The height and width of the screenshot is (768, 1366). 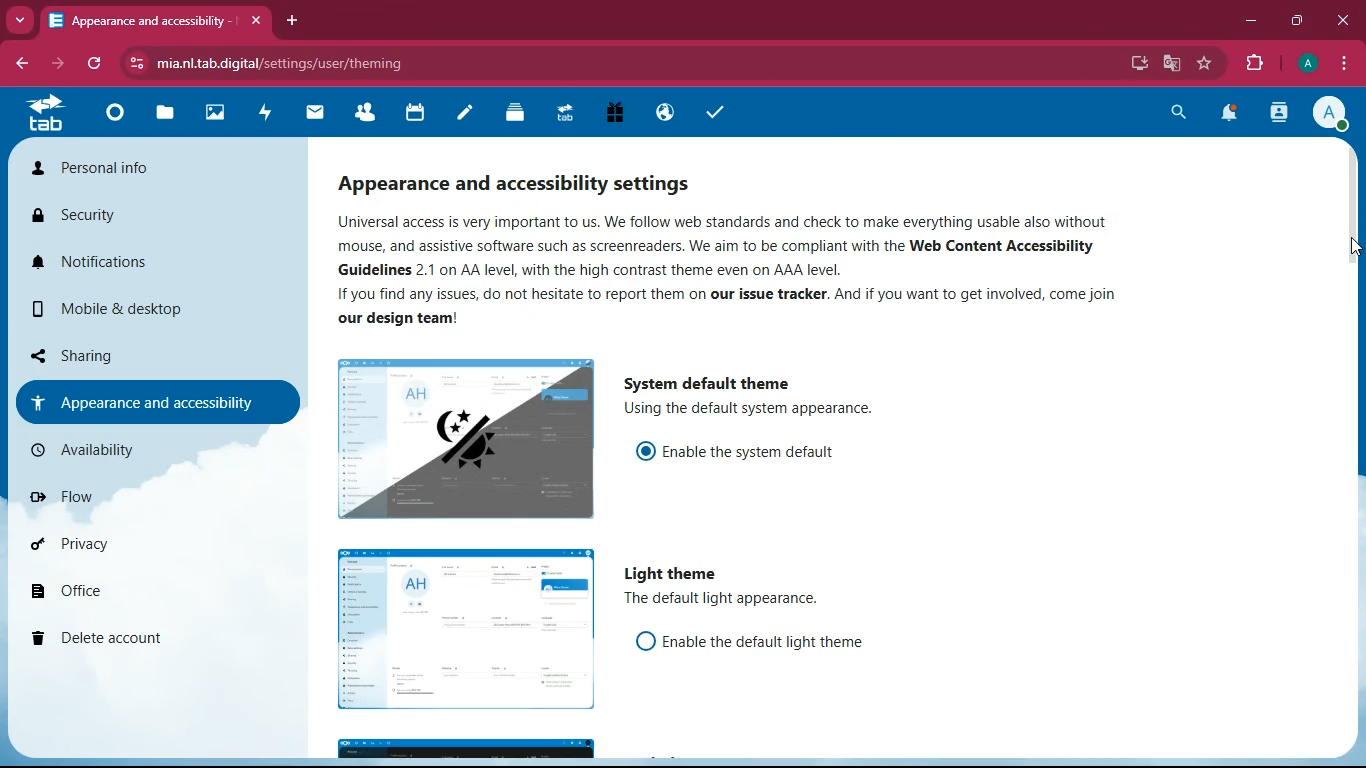 What do you see at coordinates (1259, 63) in the screenshot?
I see `extension` at bounding box center [1259, 63].